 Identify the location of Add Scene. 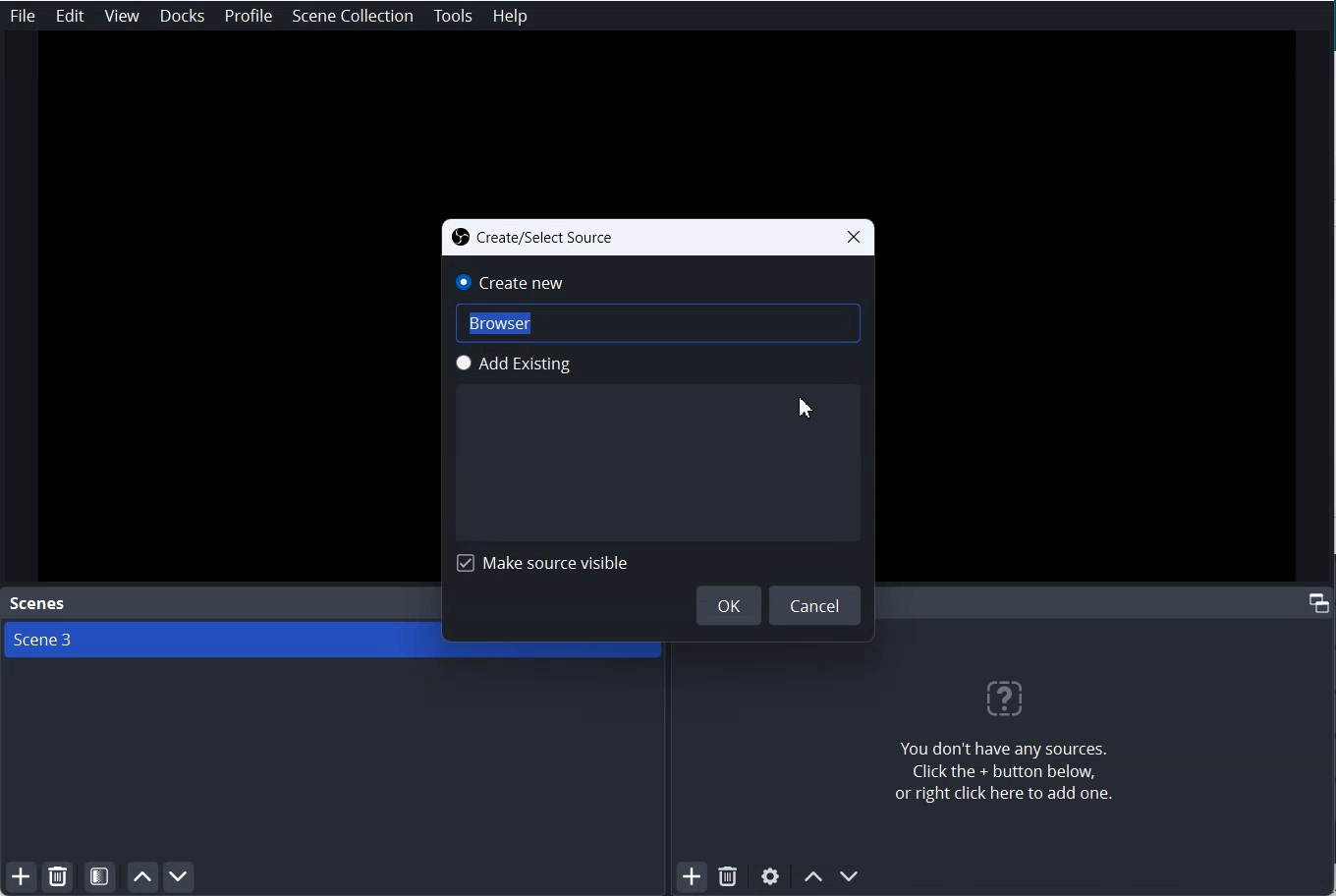
(18, 878).